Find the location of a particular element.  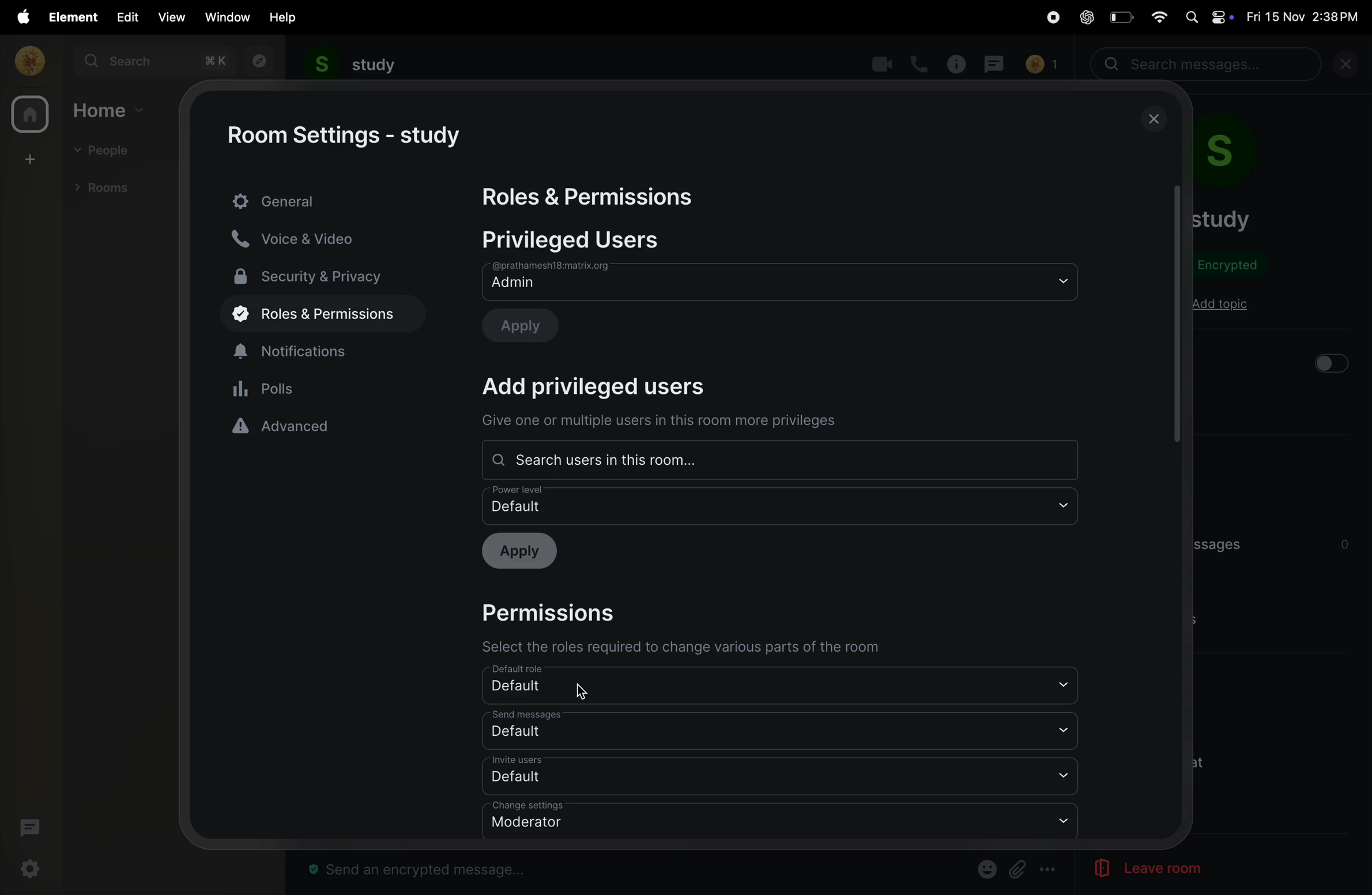

change settings is located at coordinates (779, 821).